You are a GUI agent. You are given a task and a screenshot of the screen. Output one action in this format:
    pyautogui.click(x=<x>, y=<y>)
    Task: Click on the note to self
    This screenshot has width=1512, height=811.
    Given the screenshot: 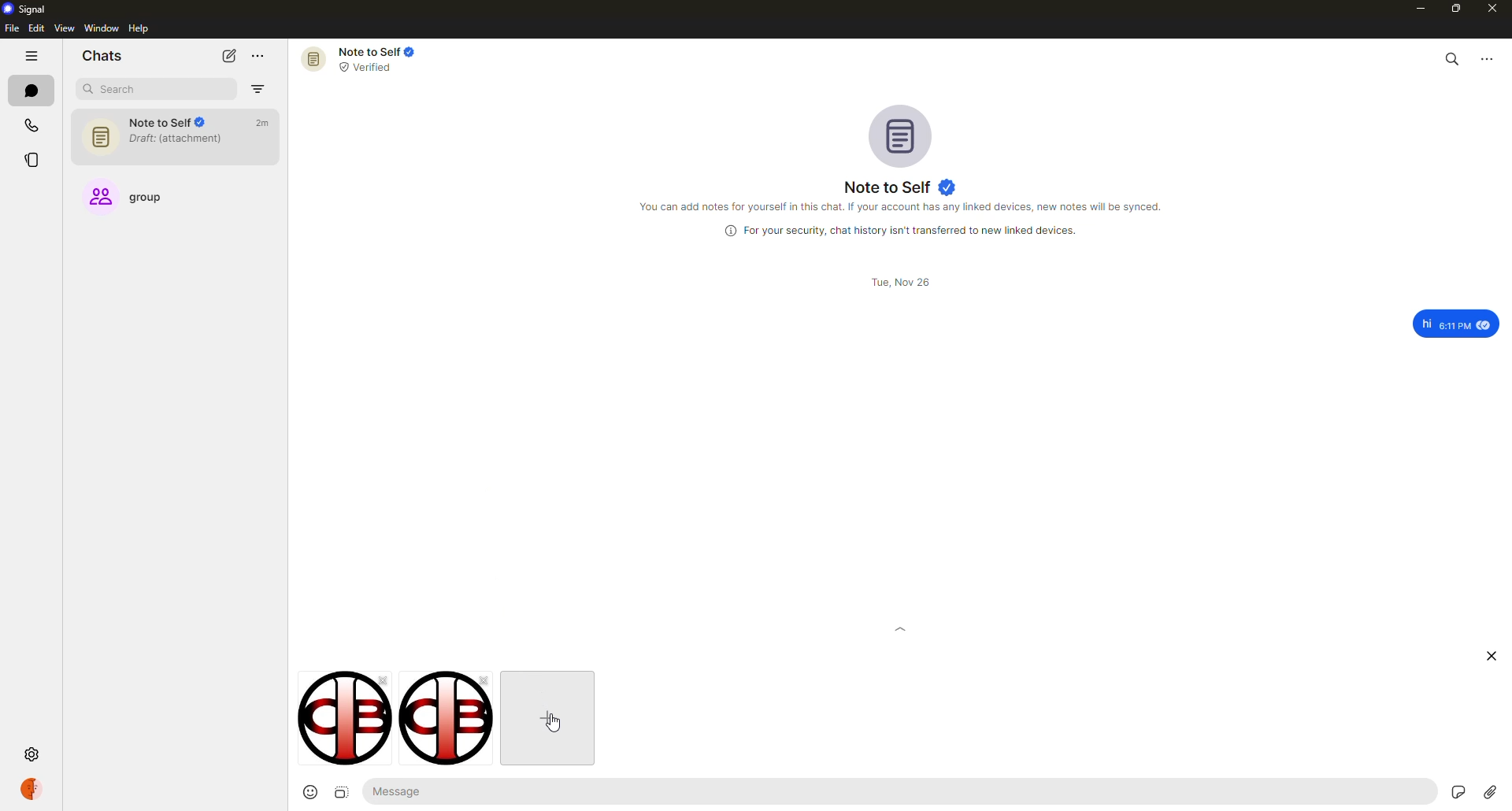 What is the action you would take?
    pyautogui.click(x=364, y=57)
    